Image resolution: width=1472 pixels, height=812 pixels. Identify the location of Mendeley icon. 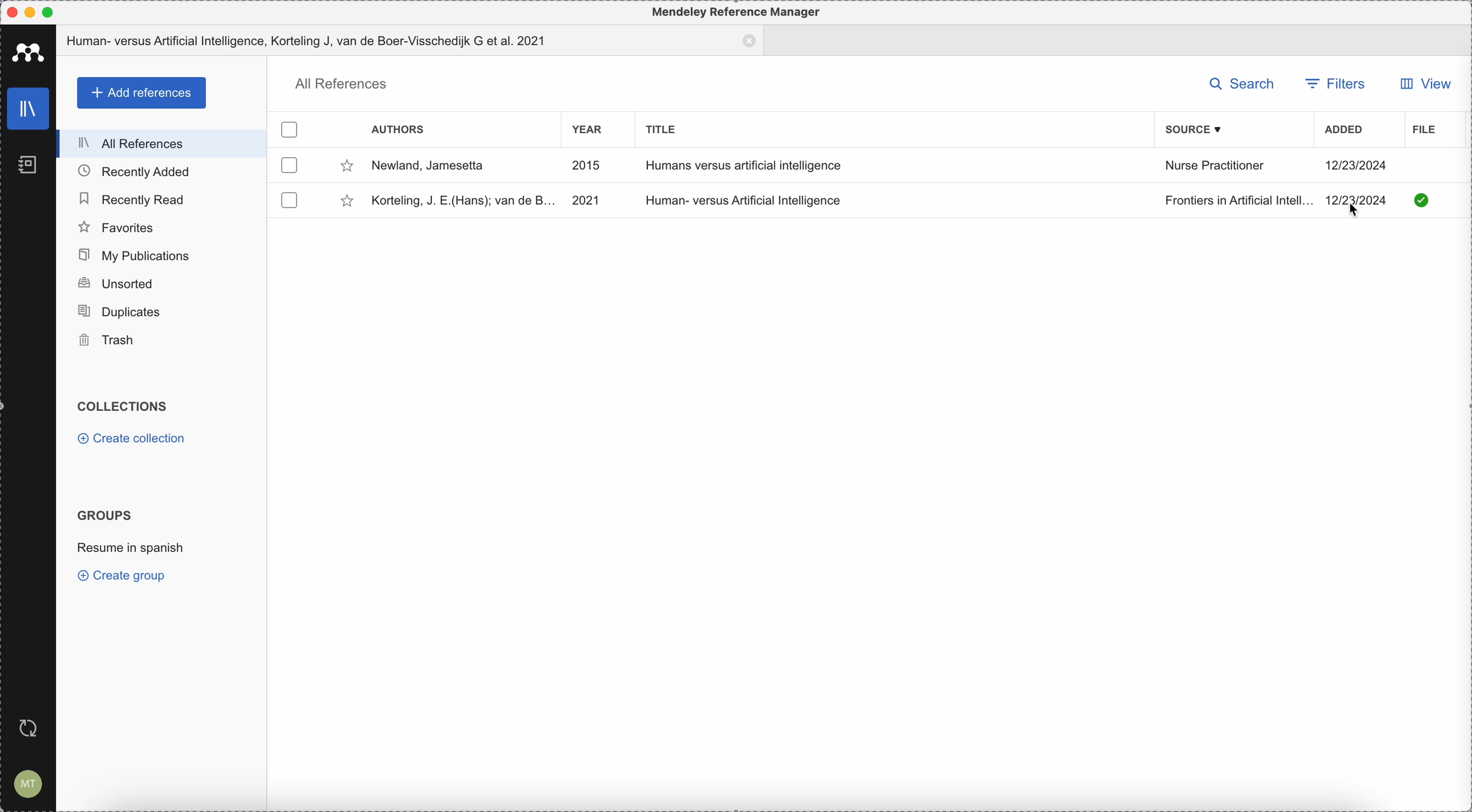
(27, 52).